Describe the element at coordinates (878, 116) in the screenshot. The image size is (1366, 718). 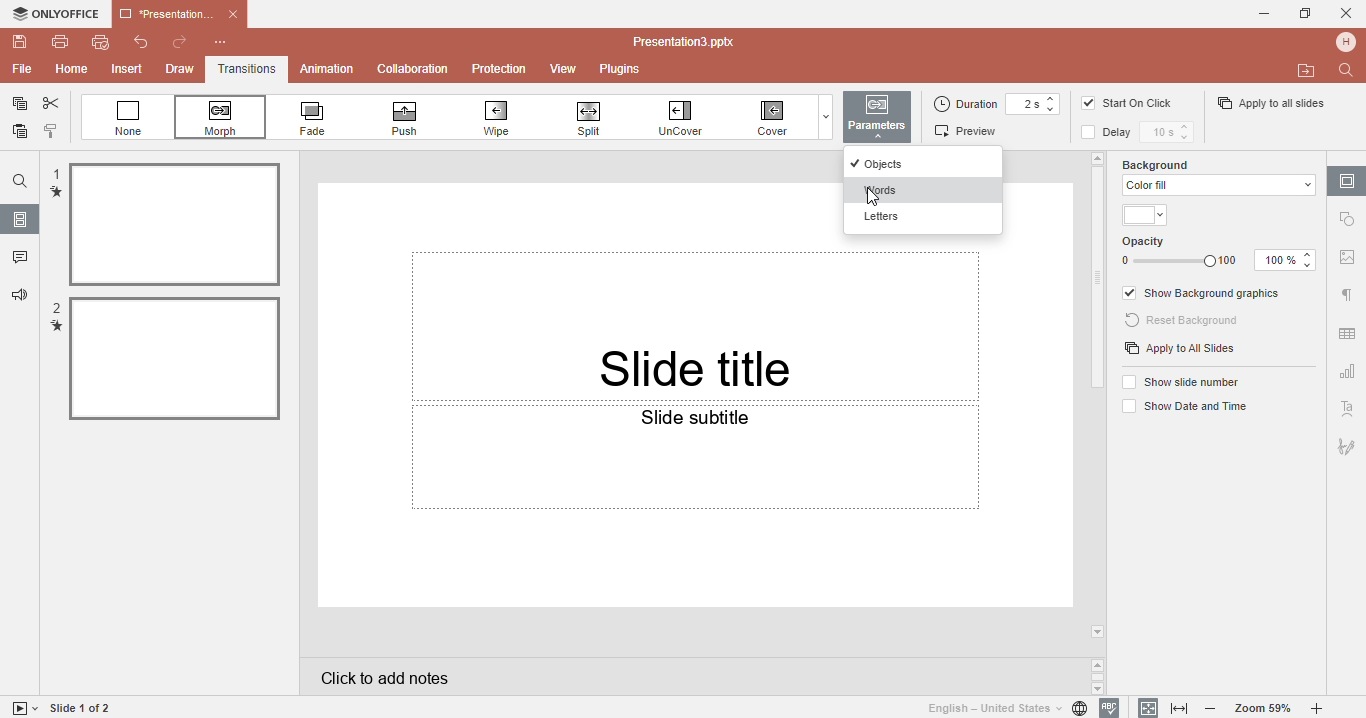
I see `button highlighted` at that location.